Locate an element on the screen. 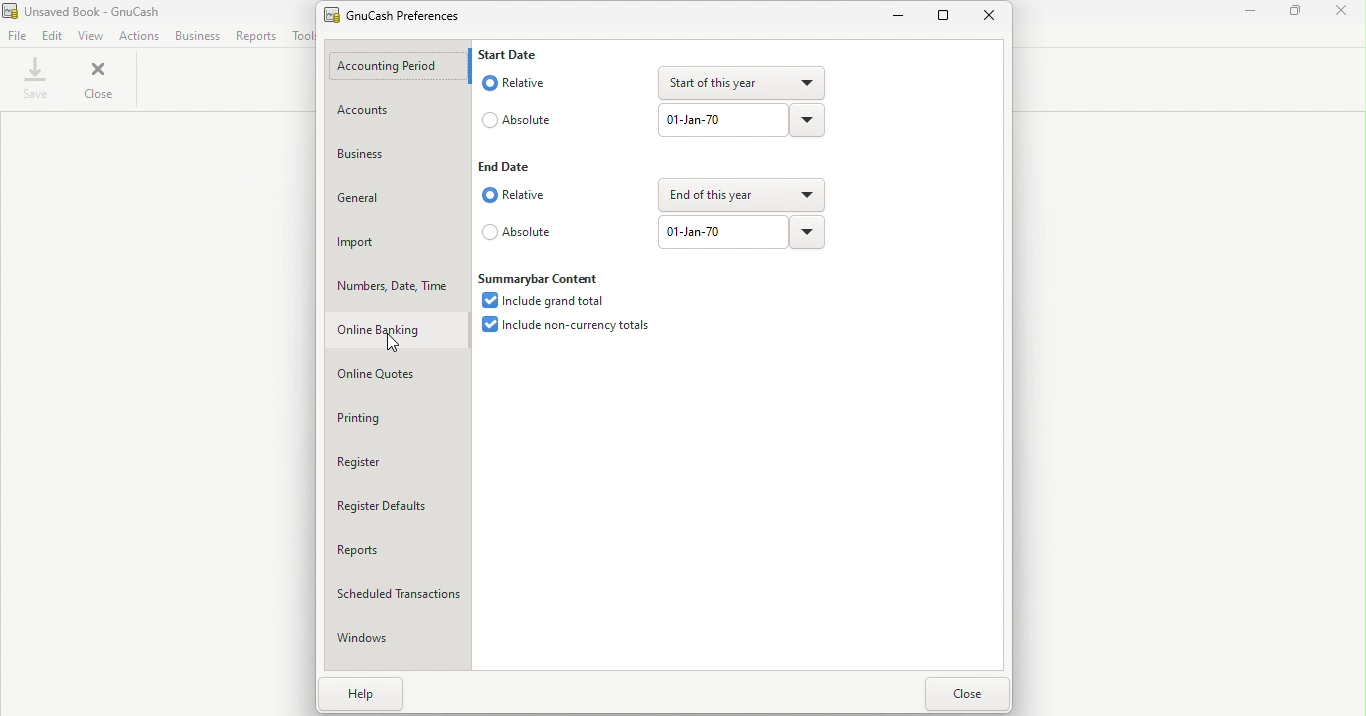  Save is located at coordinates (36, 82).